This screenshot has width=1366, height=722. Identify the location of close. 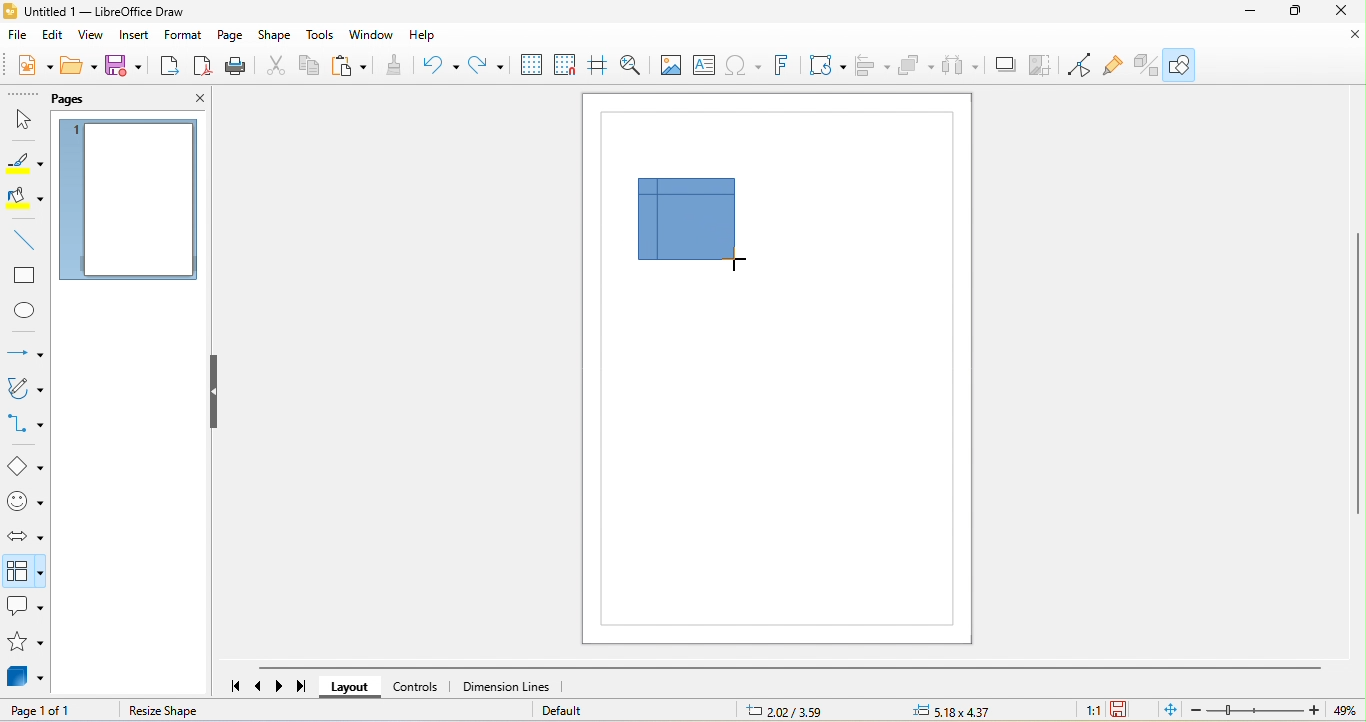
(1340, 43).